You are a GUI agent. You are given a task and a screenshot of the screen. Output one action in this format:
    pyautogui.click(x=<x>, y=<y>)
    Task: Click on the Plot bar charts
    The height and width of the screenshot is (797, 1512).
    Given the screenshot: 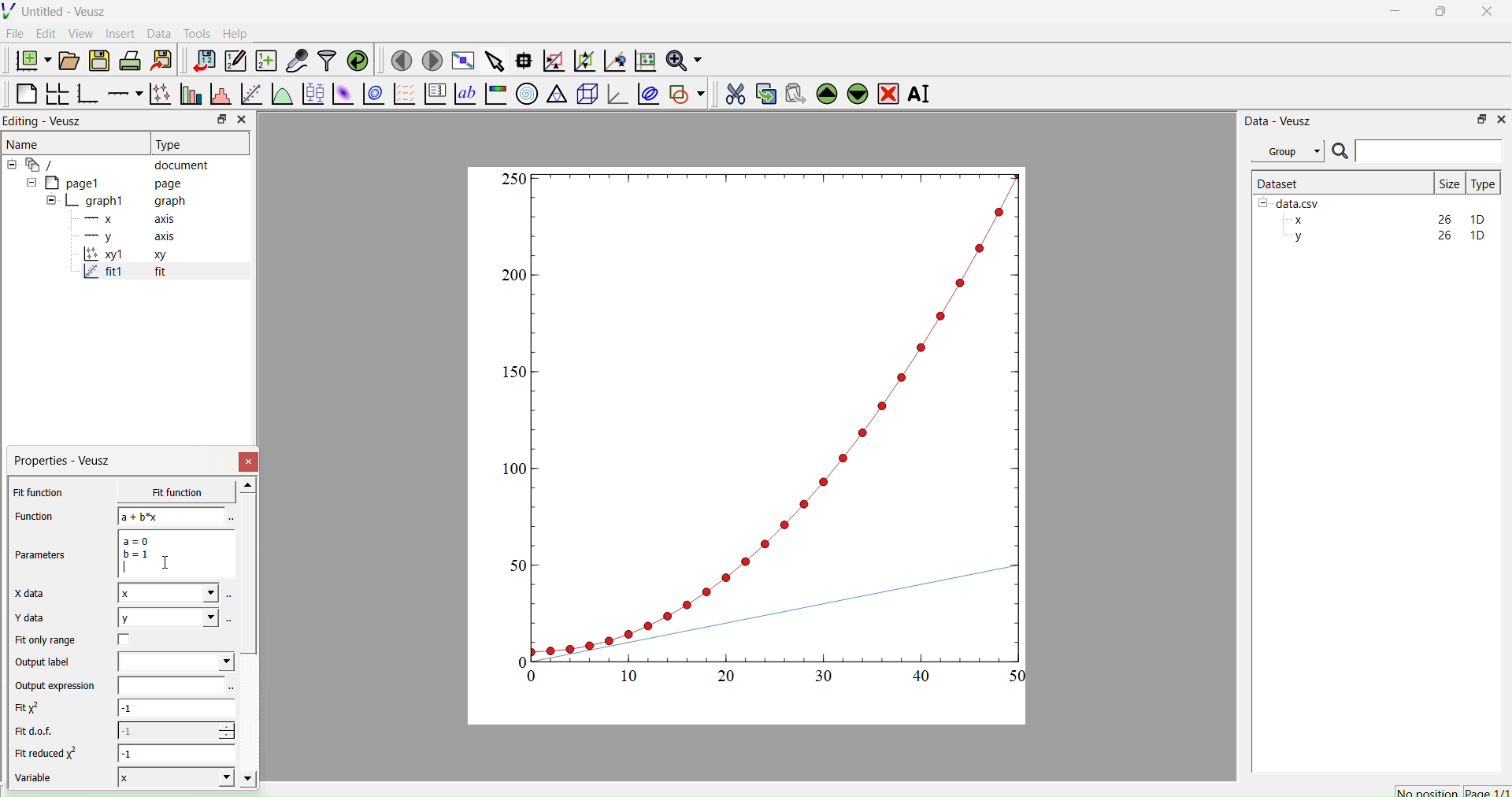 What is the action you would take?
    pyautogui.click(x=189, y=95)
    